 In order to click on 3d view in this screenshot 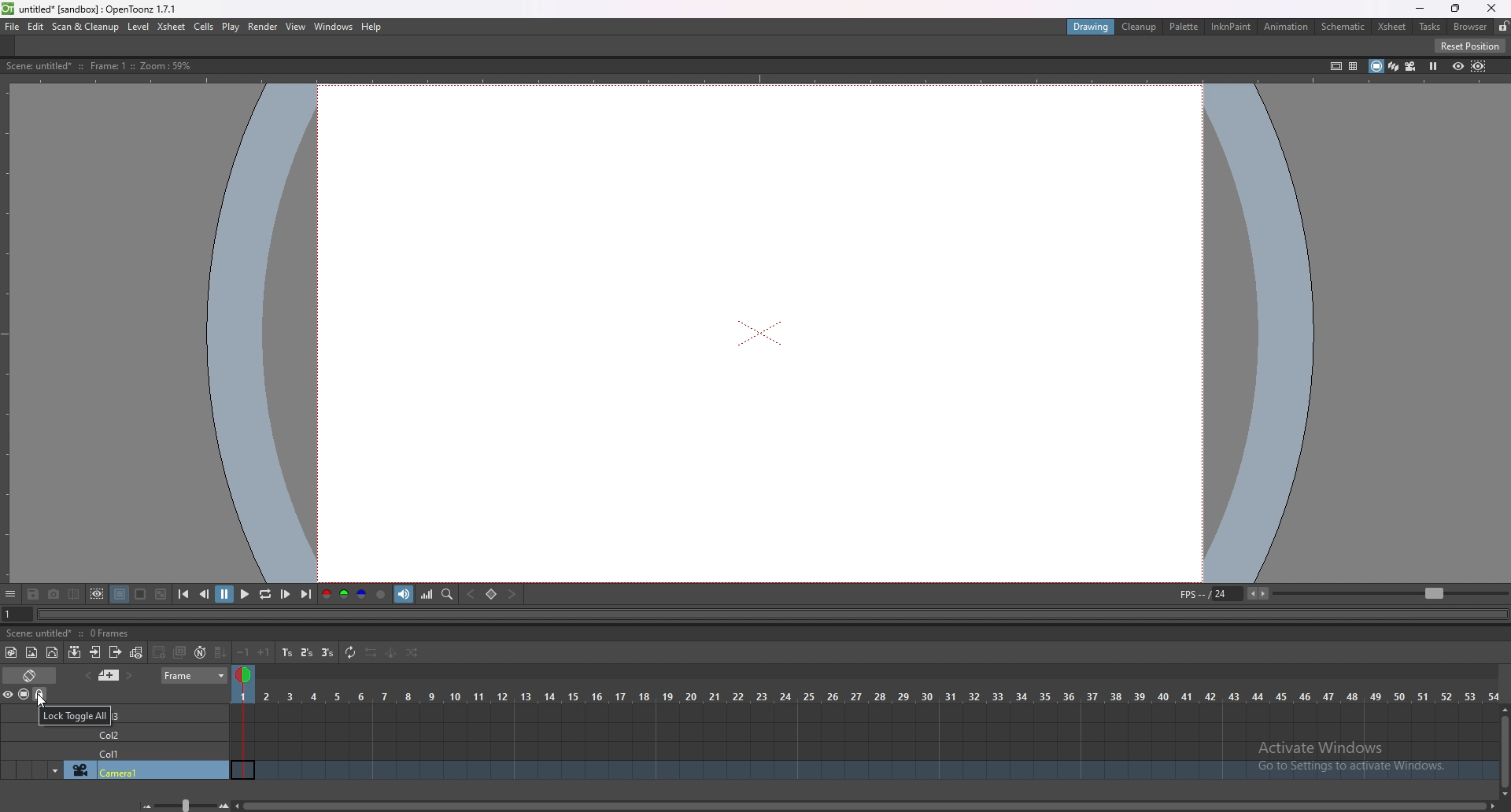, I will do `click(1391, 65)`.